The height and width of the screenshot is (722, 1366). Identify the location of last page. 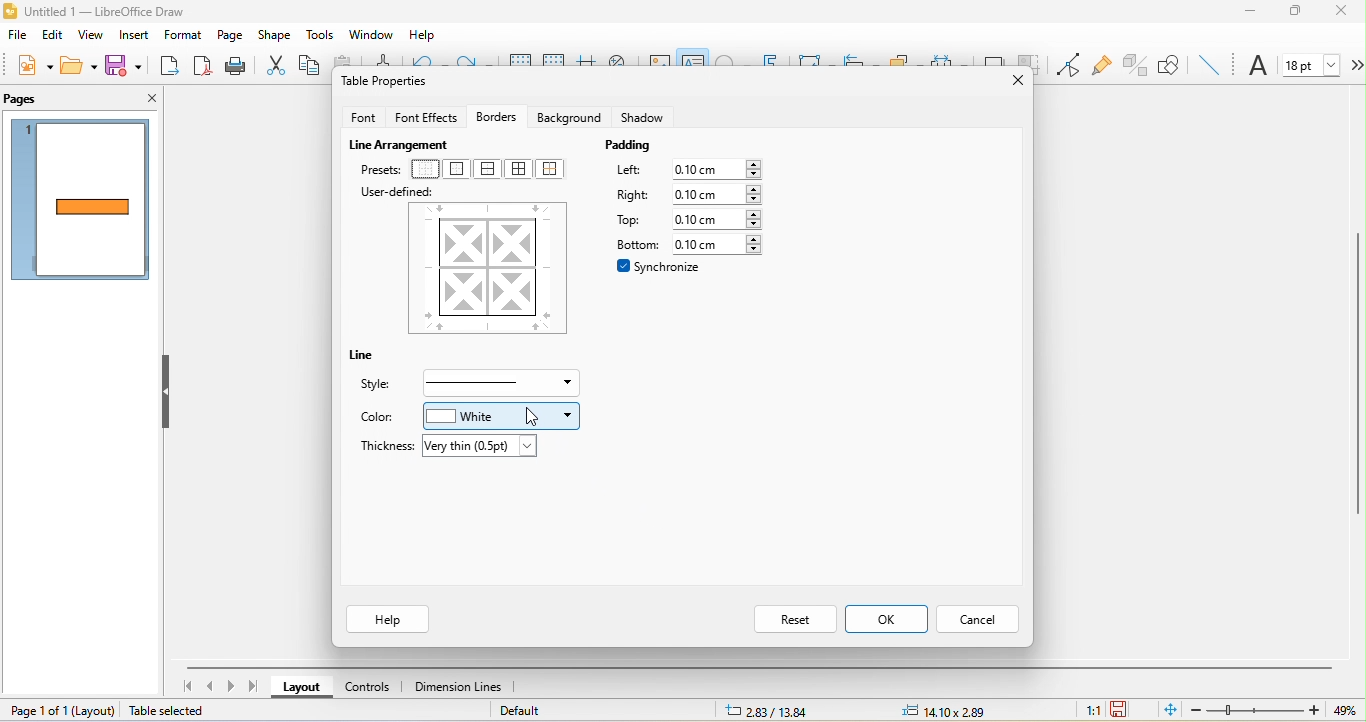
(258, 688).